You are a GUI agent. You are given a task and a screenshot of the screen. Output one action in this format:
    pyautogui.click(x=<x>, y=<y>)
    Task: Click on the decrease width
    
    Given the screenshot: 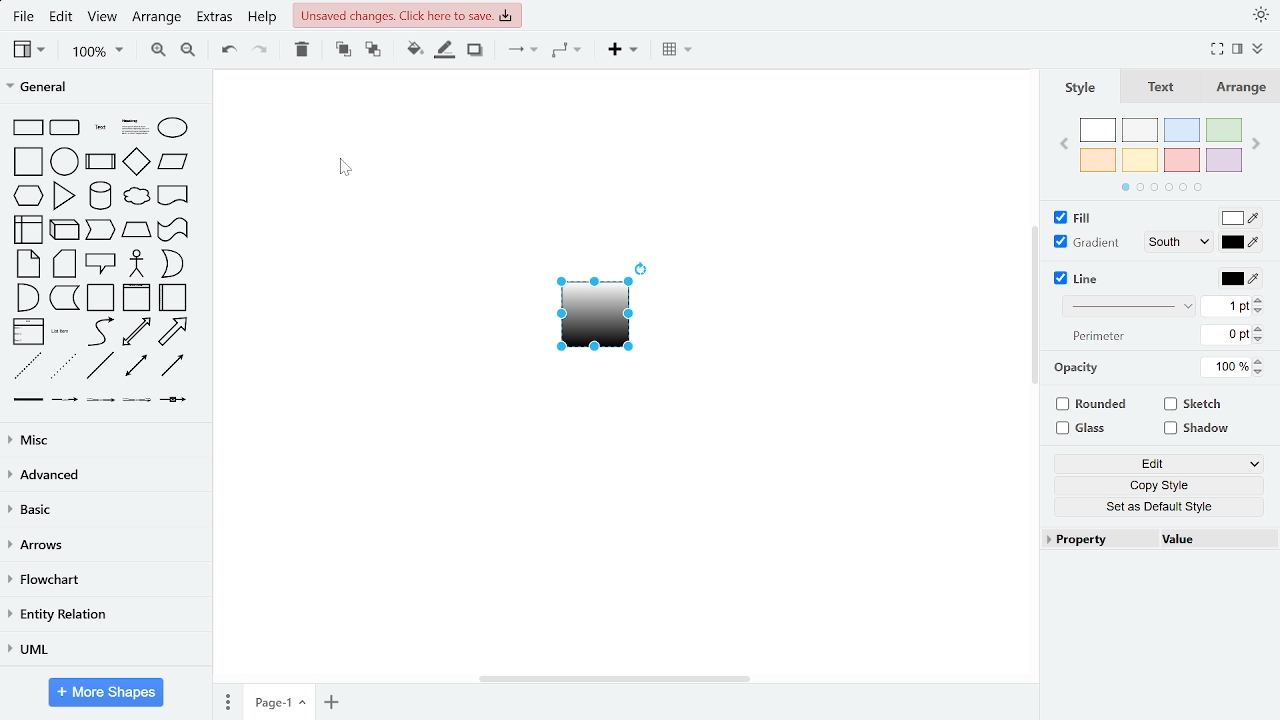 What is the action you would take?
    pyautogui.click(x=1261, y=340)
    